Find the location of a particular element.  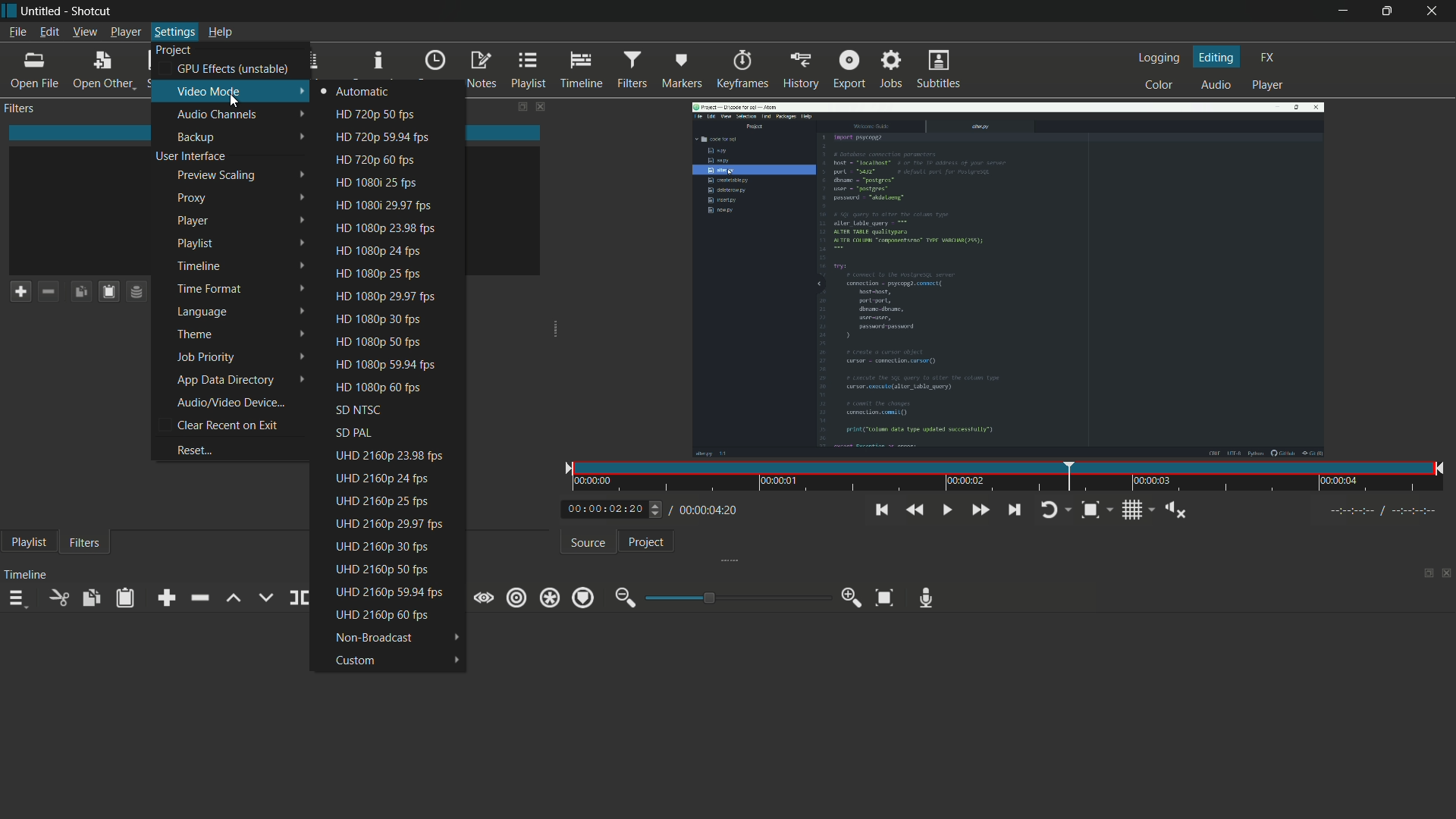

show volume control is located at coordinates (1178, 510).